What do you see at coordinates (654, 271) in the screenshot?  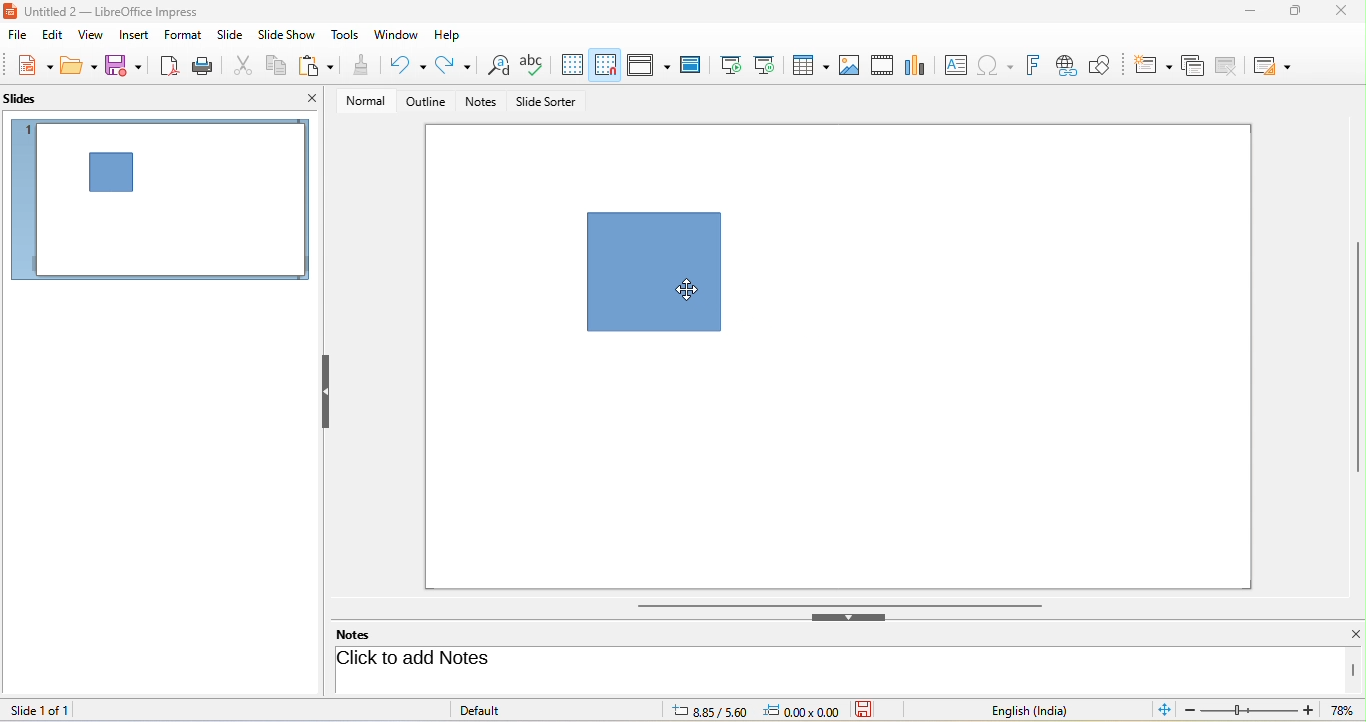 I see `shape` at bounding box center [654, 271].